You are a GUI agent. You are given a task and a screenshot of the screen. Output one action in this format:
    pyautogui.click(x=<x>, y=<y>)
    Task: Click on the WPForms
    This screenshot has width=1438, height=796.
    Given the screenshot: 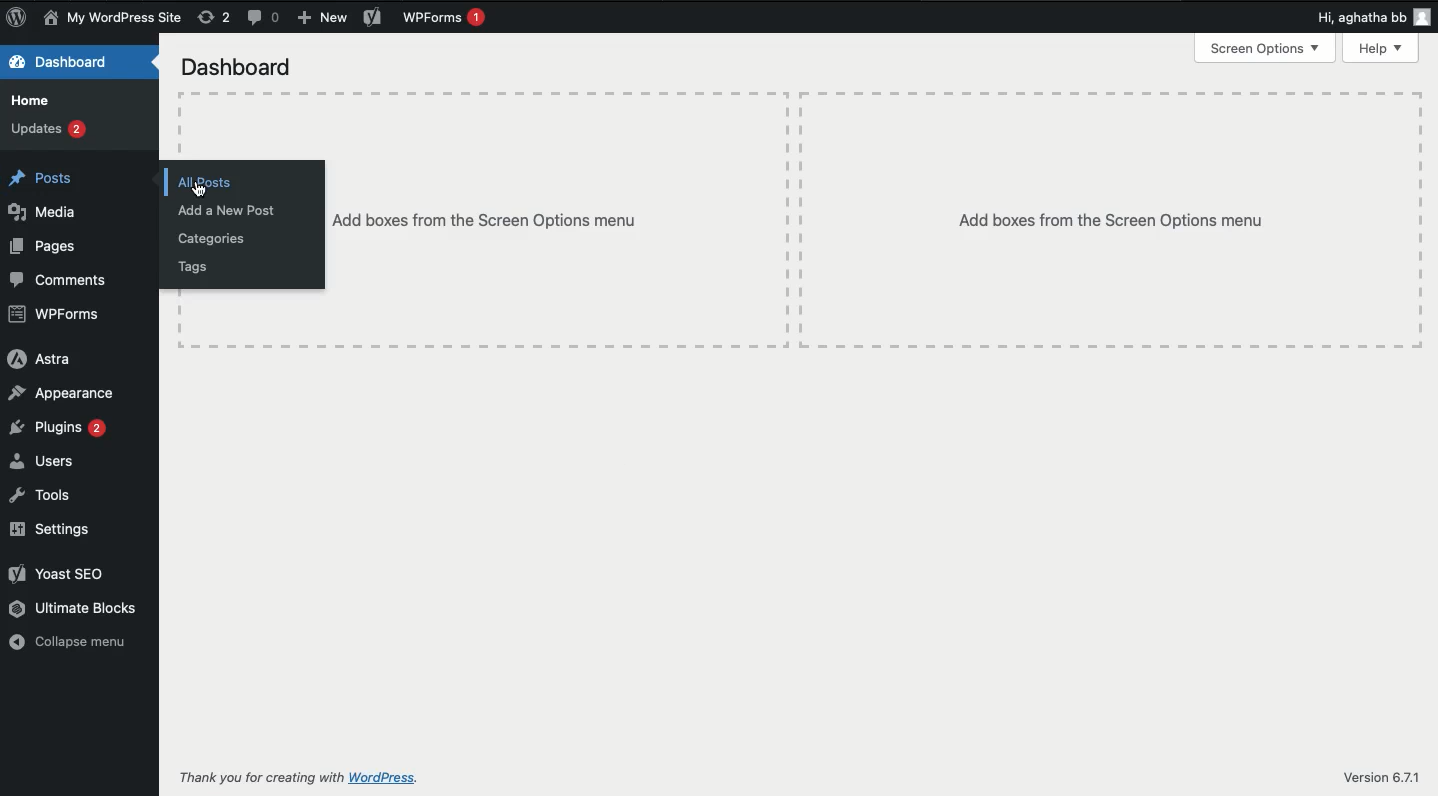 What is the action you would take?
    pyautogui.click(x=57, y=315)
    